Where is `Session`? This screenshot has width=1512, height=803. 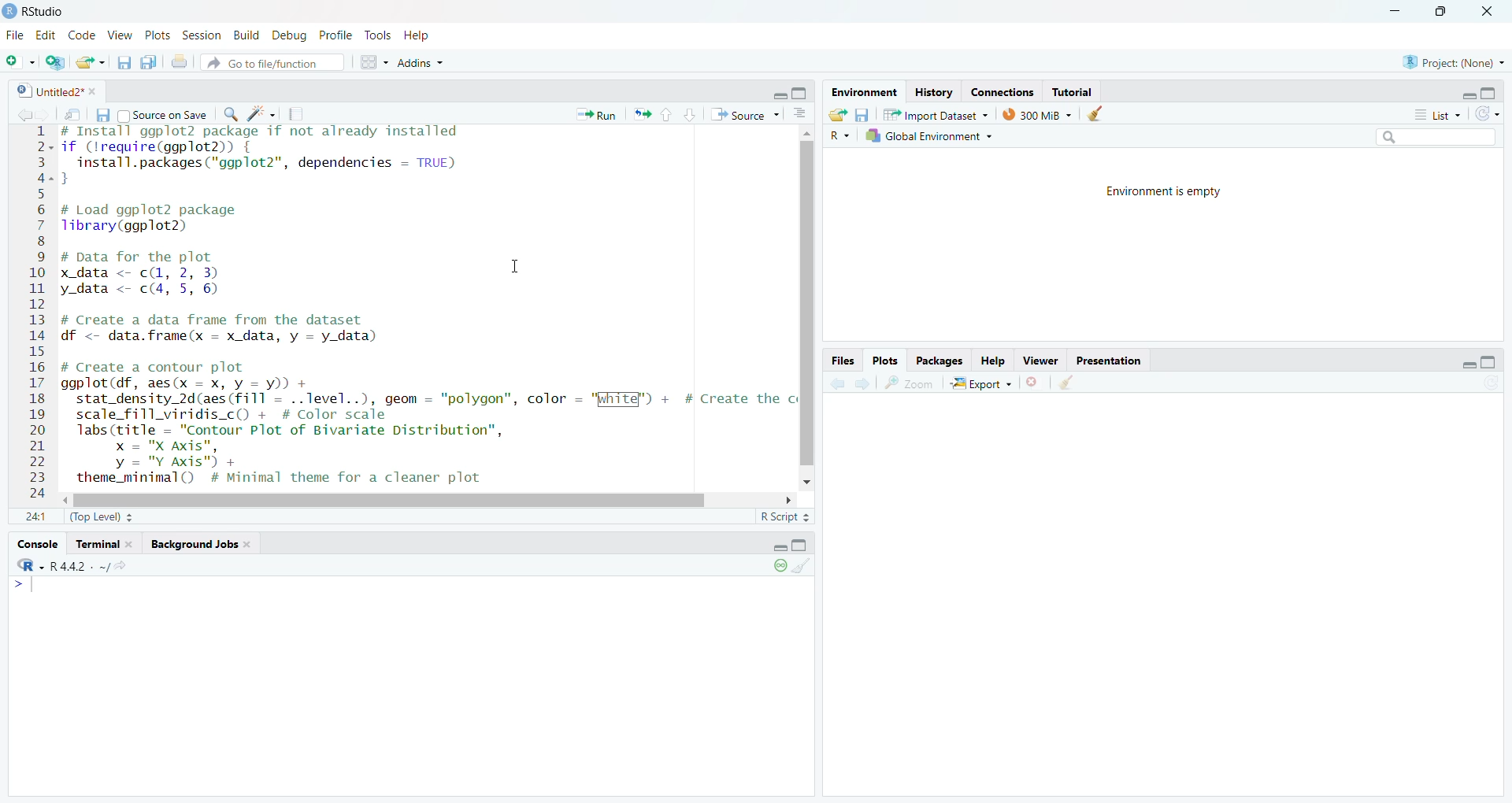 Session is located at coordinates (202, 35).